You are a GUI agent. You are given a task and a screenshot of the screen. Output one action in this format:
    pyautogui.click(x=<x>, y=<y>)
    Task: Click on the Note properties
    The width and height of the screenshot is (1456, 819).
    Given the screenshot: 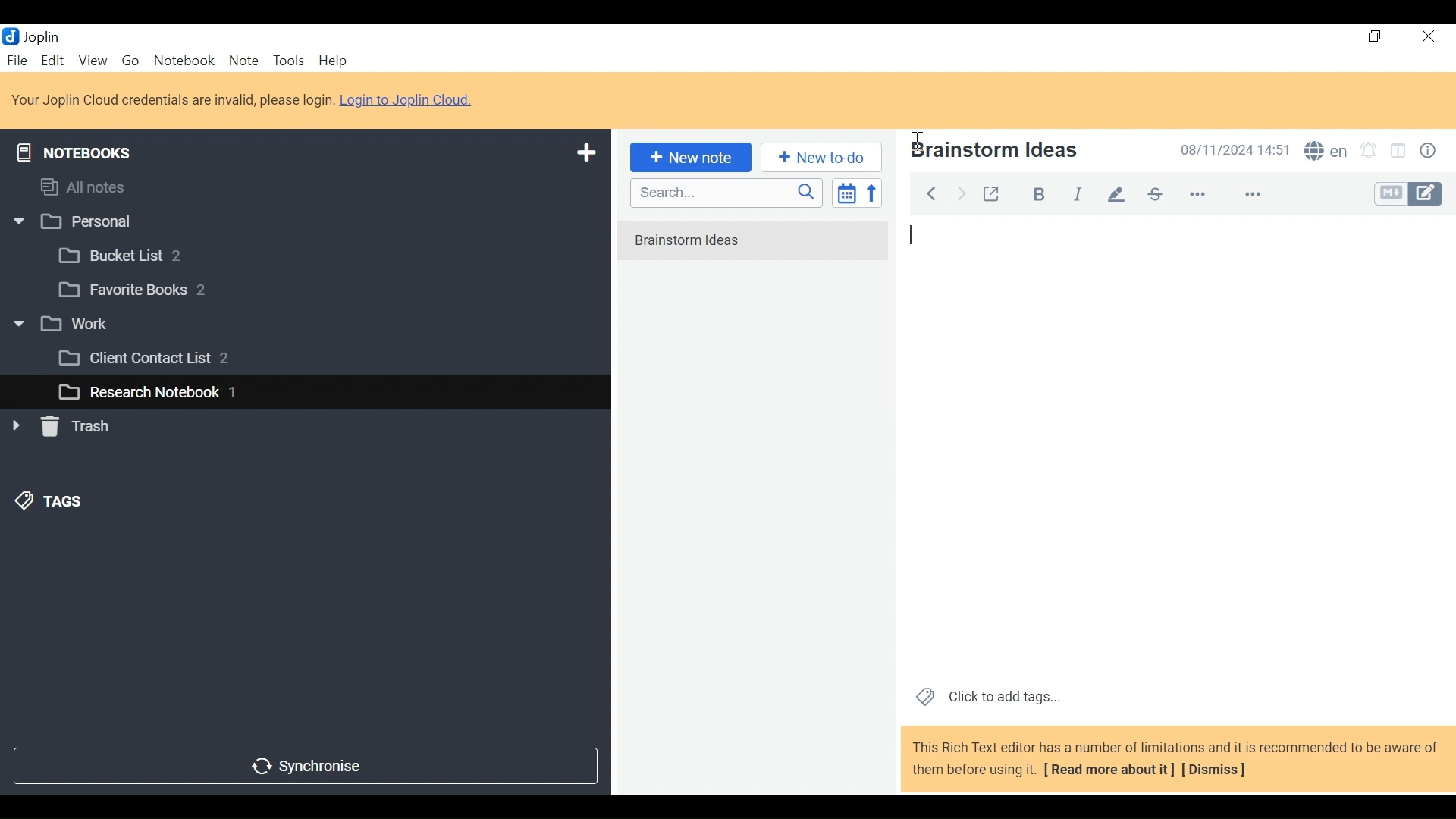 What is the action you would take?
    pyautogui.click(x=1431, y=152)
    